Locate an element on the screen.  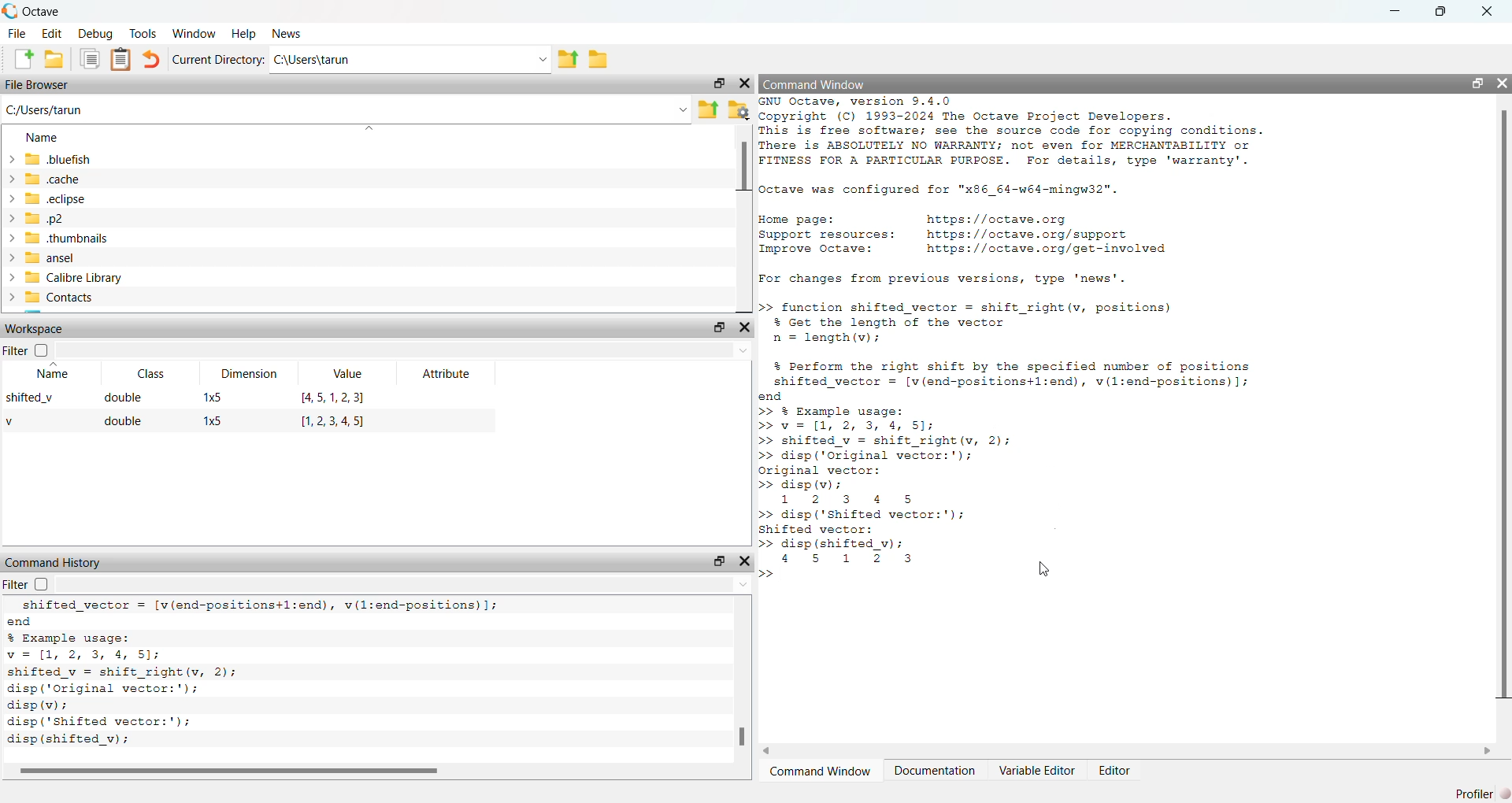
scrollbar is located at coordinates (231, 770).